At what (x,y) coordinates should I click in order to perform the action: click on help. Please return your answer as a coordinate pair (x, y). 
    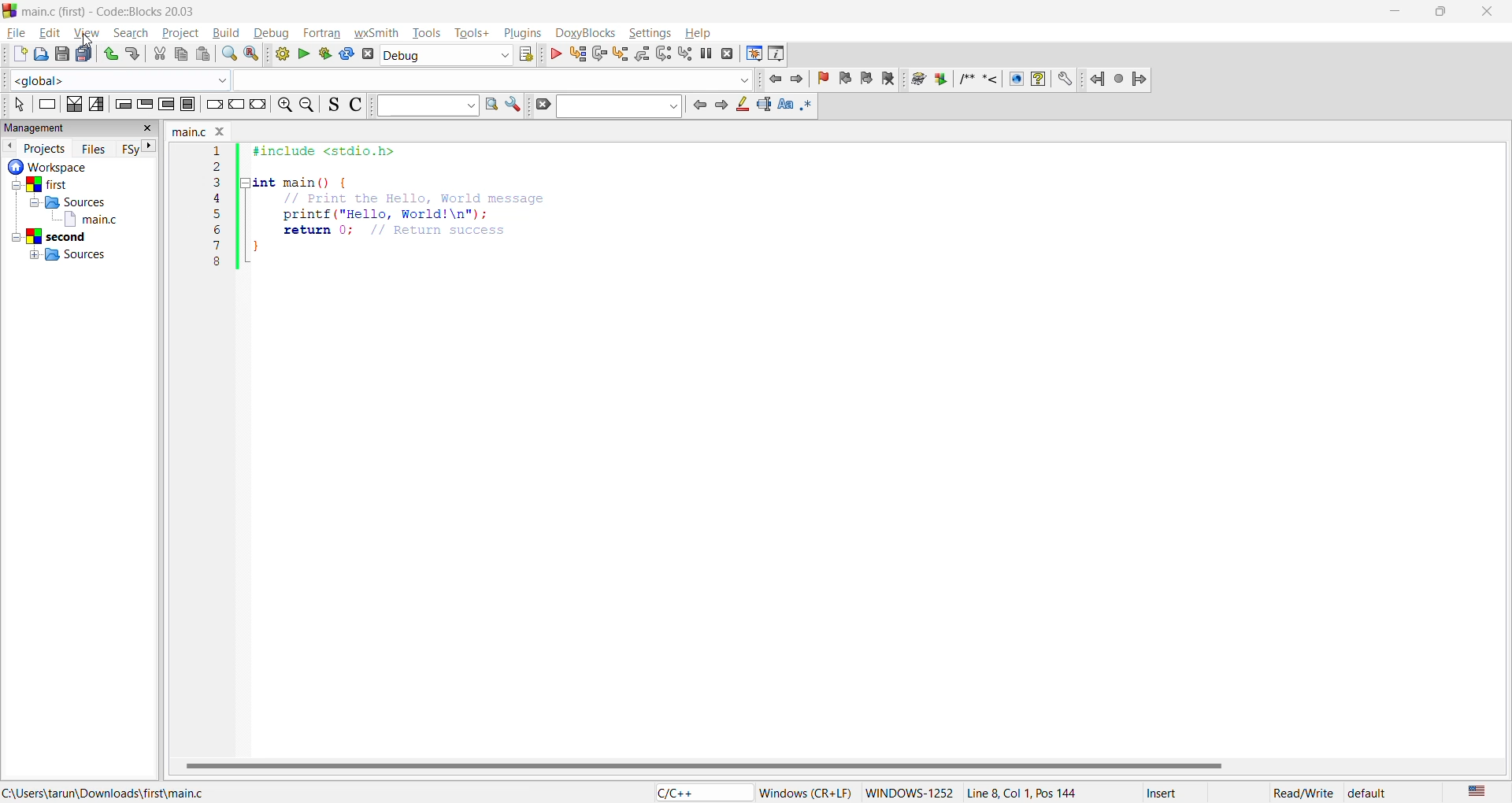
    Looking at the image, I should click on (700, 33).